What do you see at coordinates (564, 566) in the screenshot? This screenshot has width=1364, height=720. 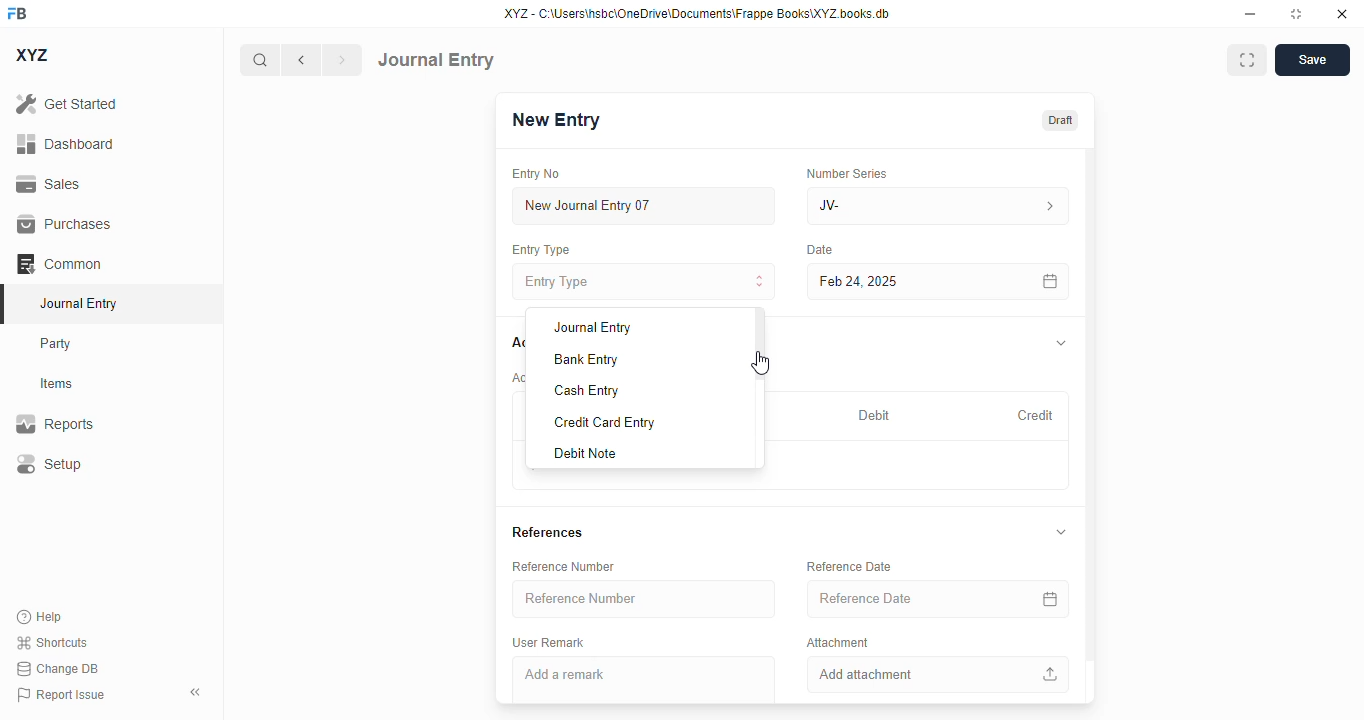 I see `reference number` at bounding box center [564, 566].